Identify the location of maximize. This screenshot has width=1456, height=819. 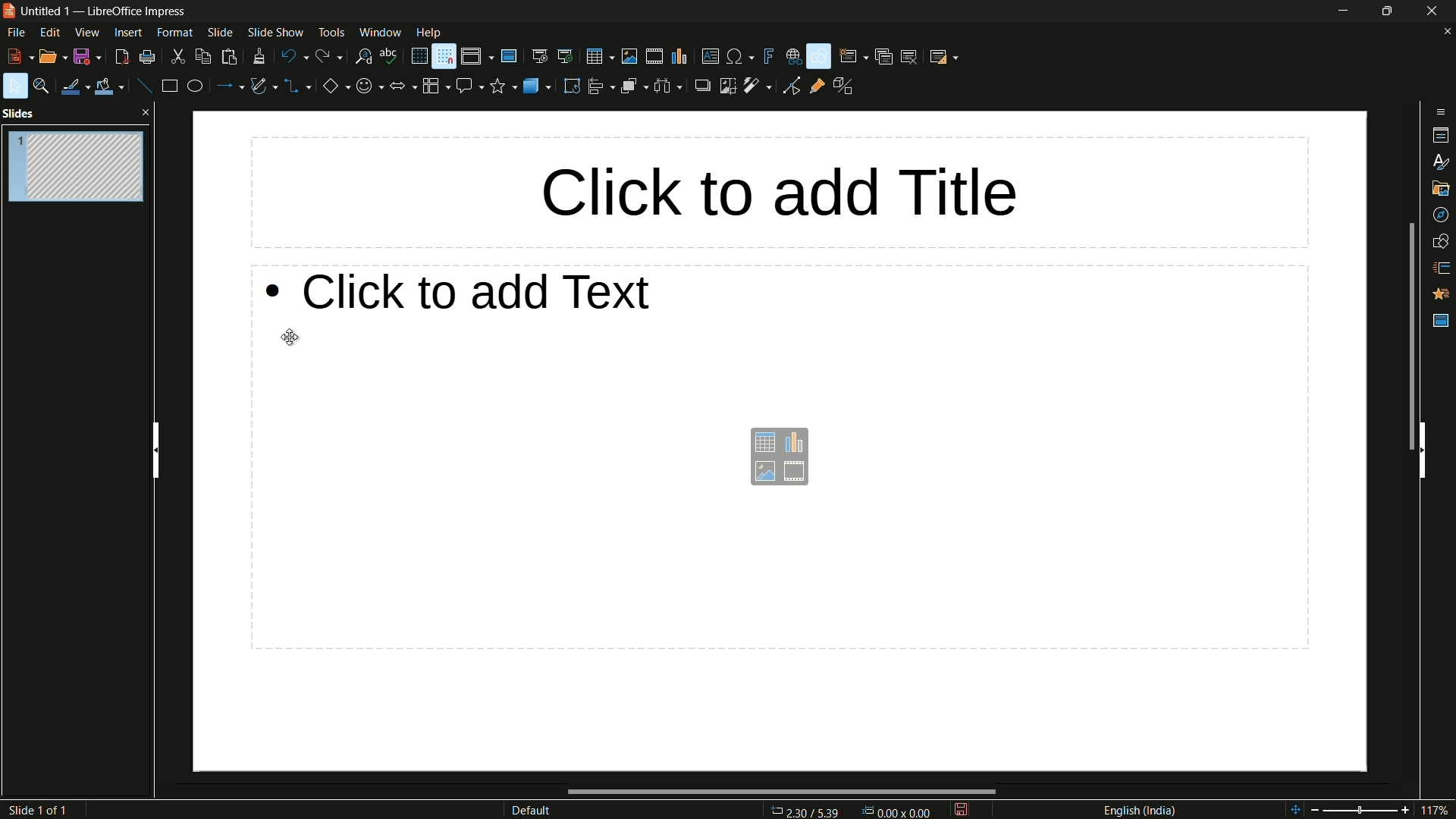
(1386, 11).